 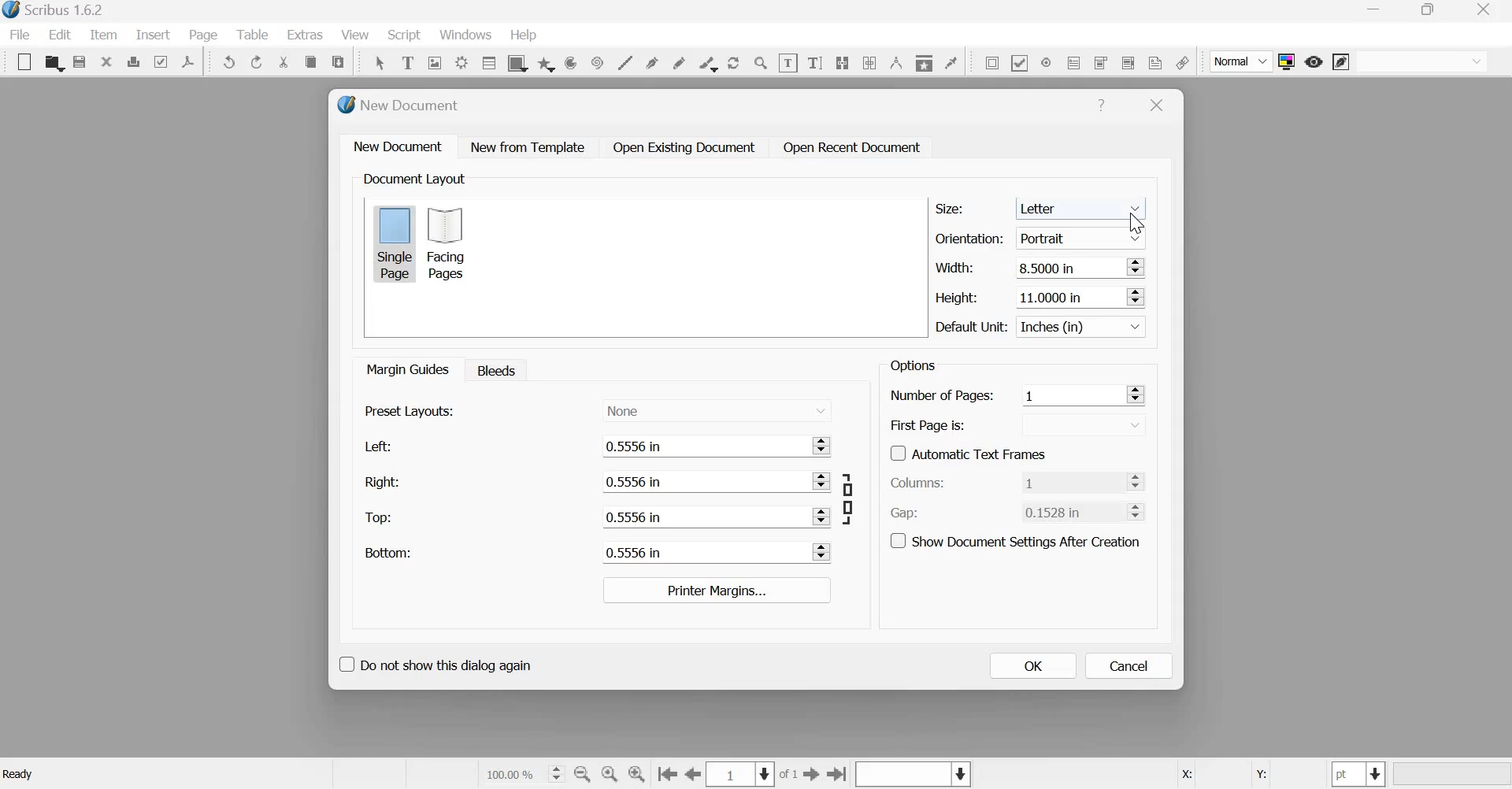 What do you see at coordinates (812, 773) in the screenshot?
I see `go to the next page` at bounding box center [812, 773].